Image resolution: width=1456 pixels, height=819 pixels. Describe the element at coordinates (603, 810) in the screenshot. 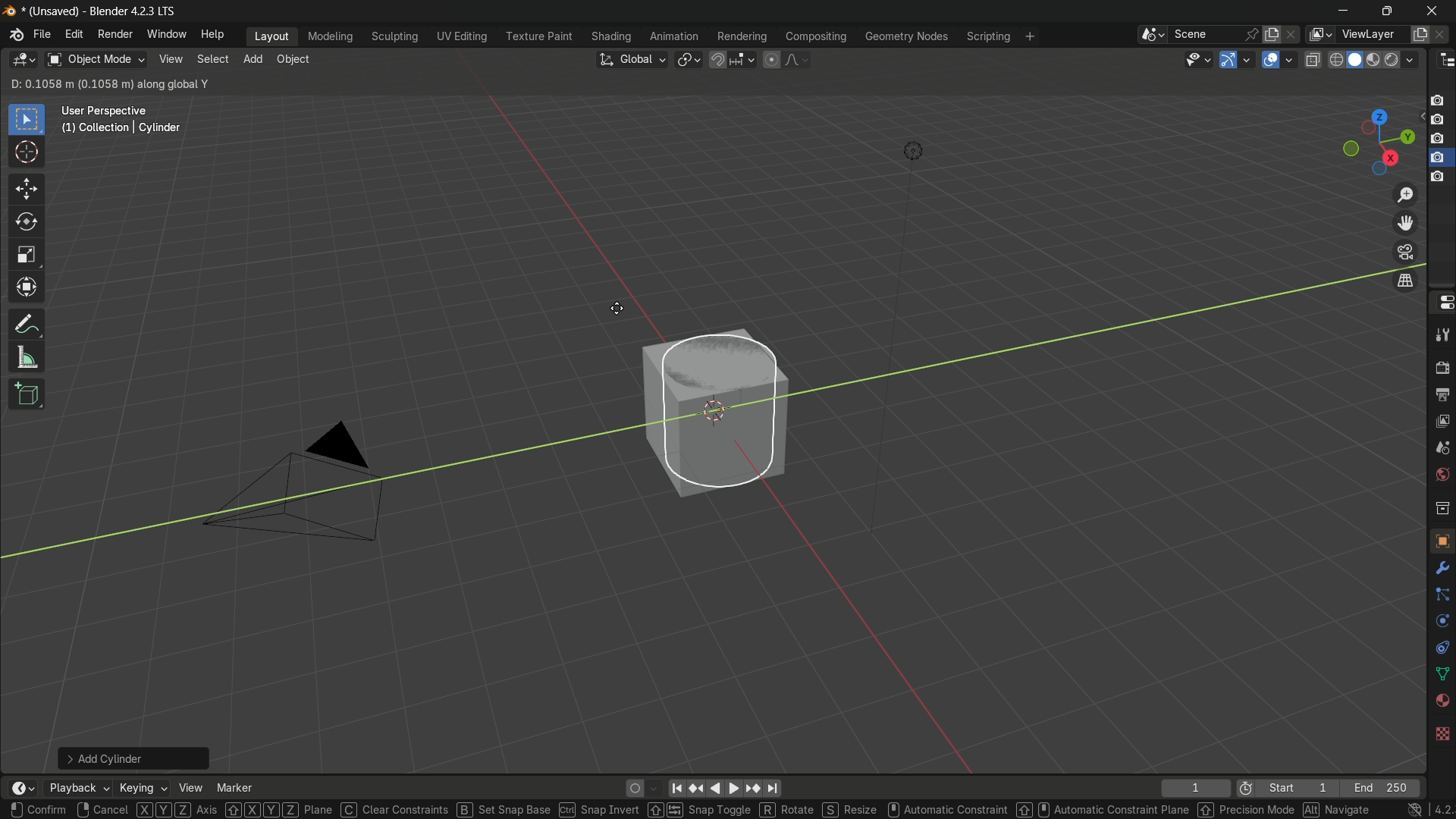

I see `snap invert` at that location.